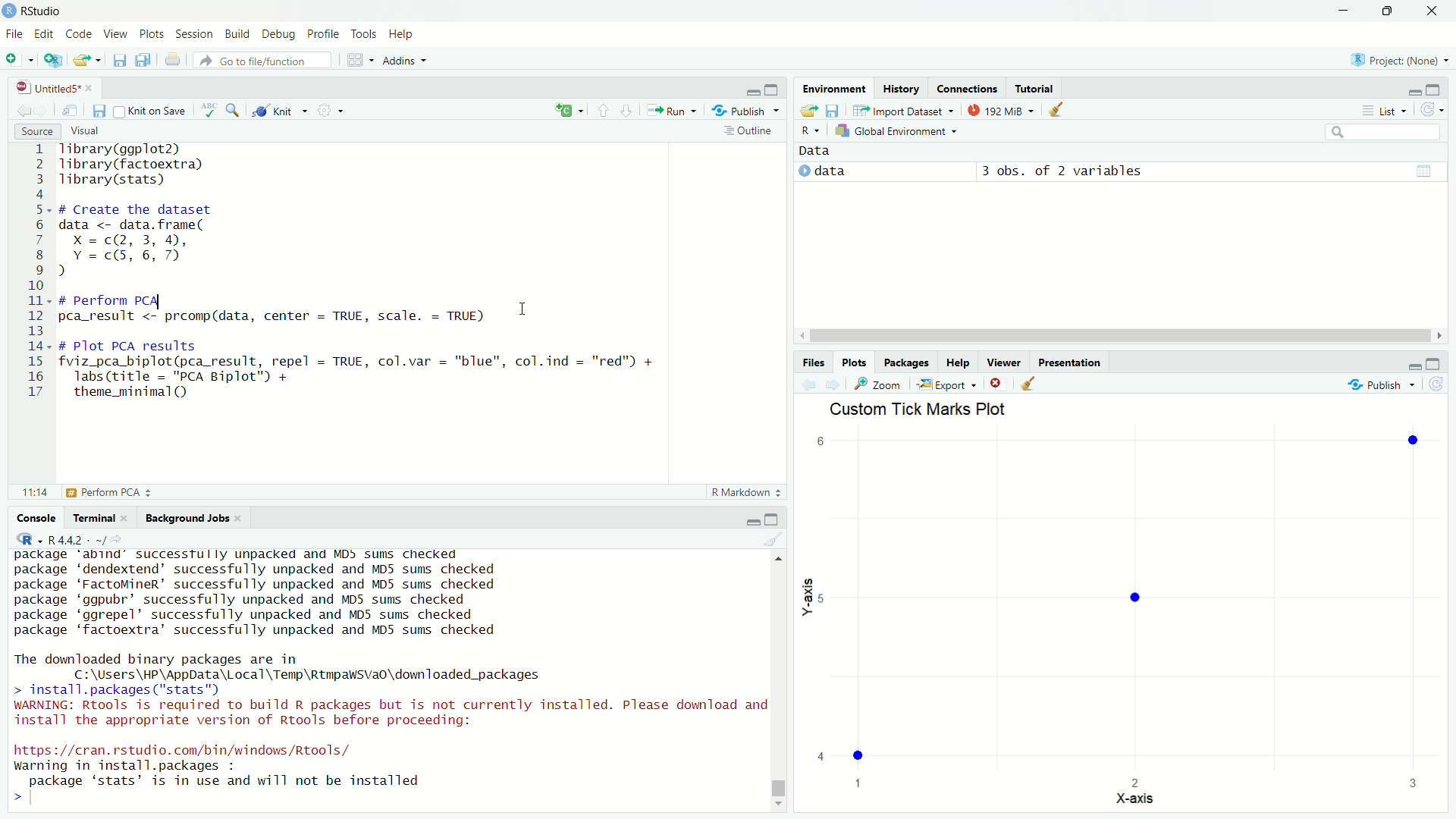 The height and width of the screenshot is (819, 1456). What do you see at coordinates (628, 109) in the screenshot?
I see `go forward` at bounding box center [628, 109].